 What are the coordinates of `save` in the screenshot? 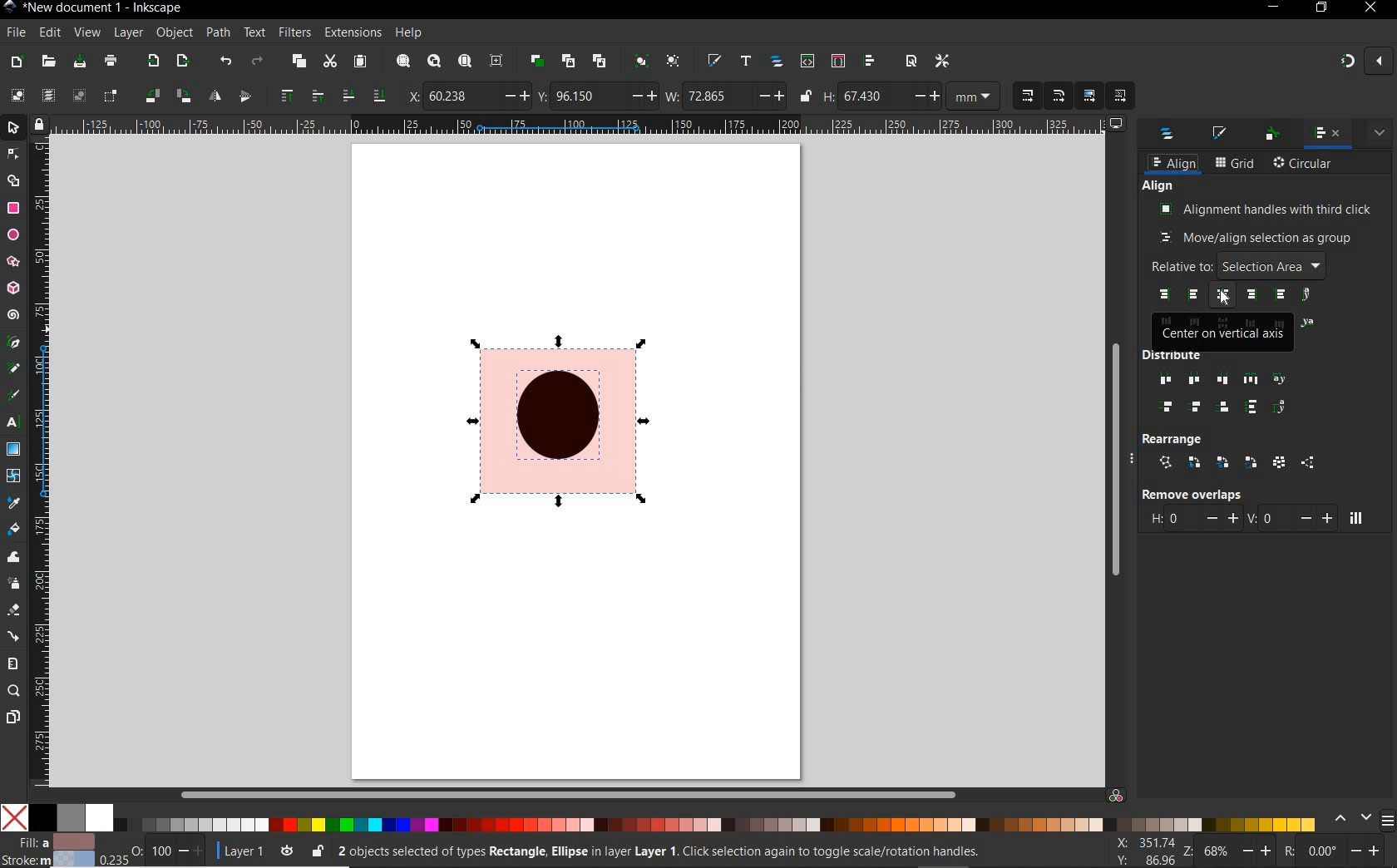 It's located at (80, 61).